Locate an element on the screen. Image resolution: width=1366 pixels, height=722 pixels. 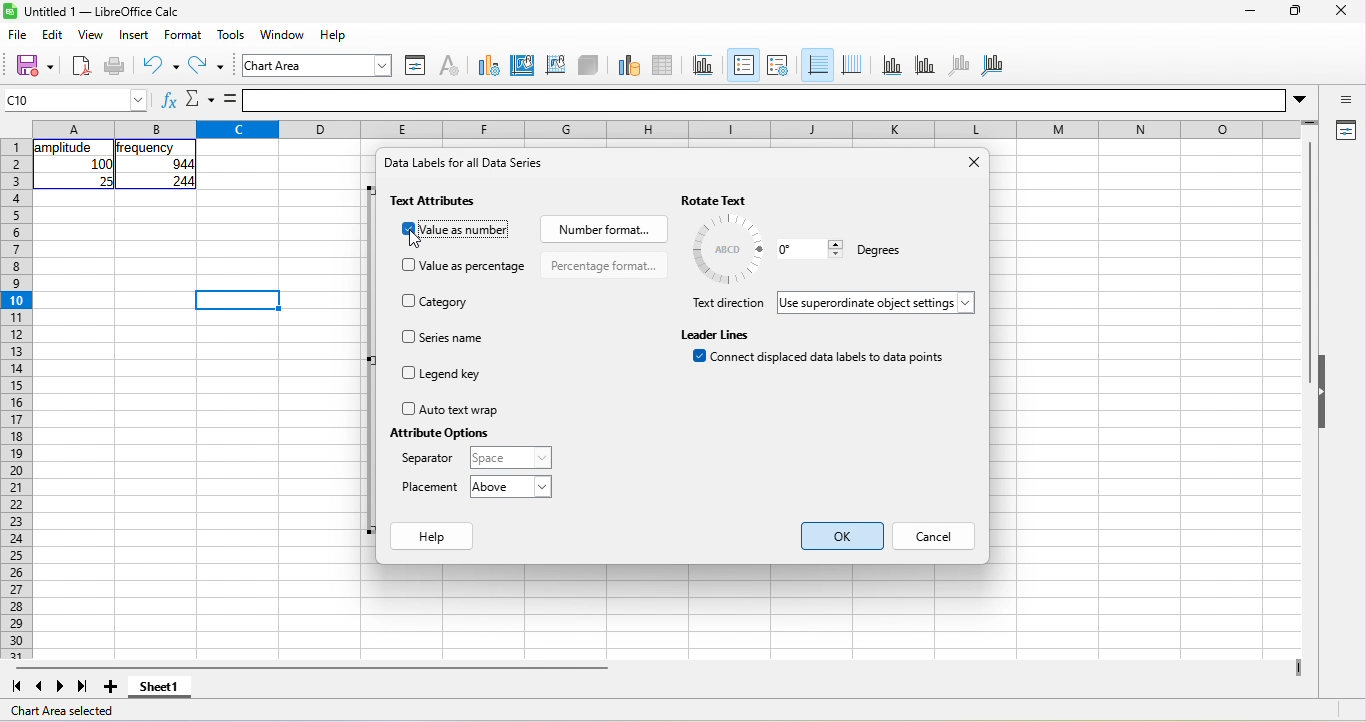
properties is located at coordinates (1344, 132).